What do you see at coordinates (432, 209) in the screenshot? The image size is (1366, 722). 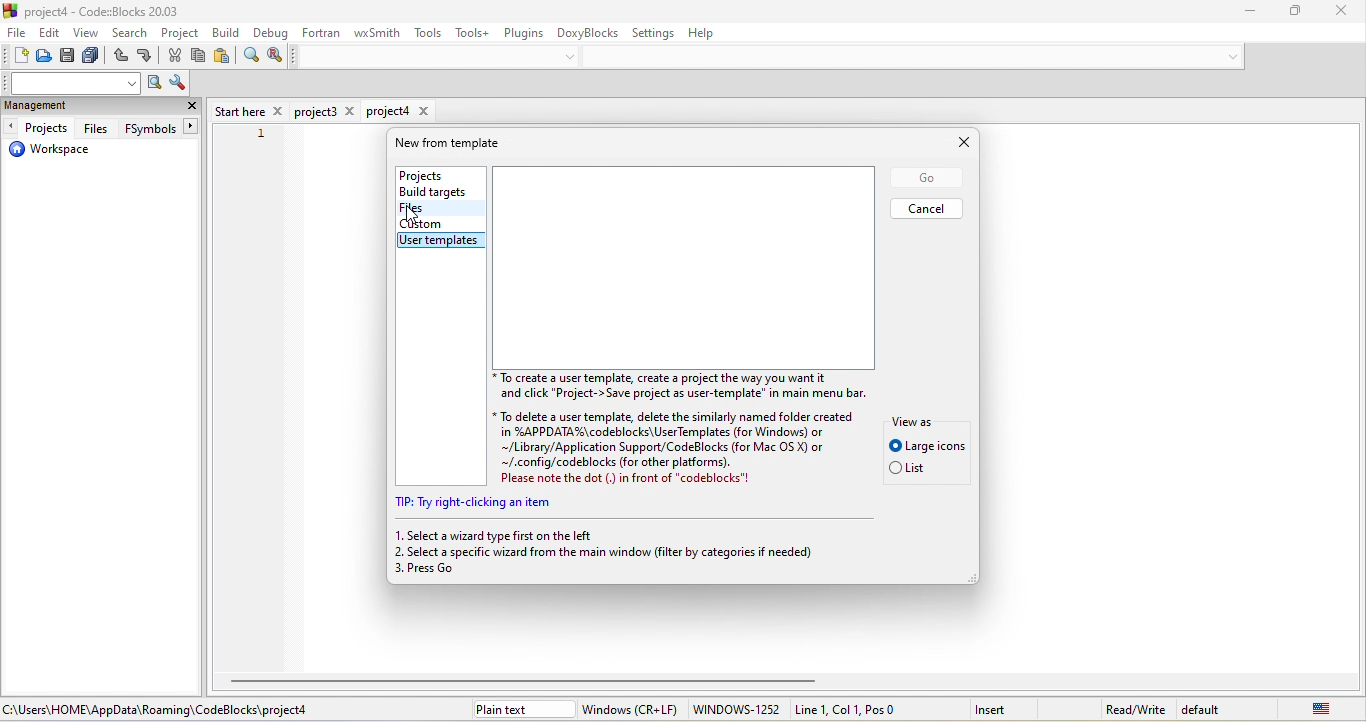 I see `files` at bounding box center [432, 209].